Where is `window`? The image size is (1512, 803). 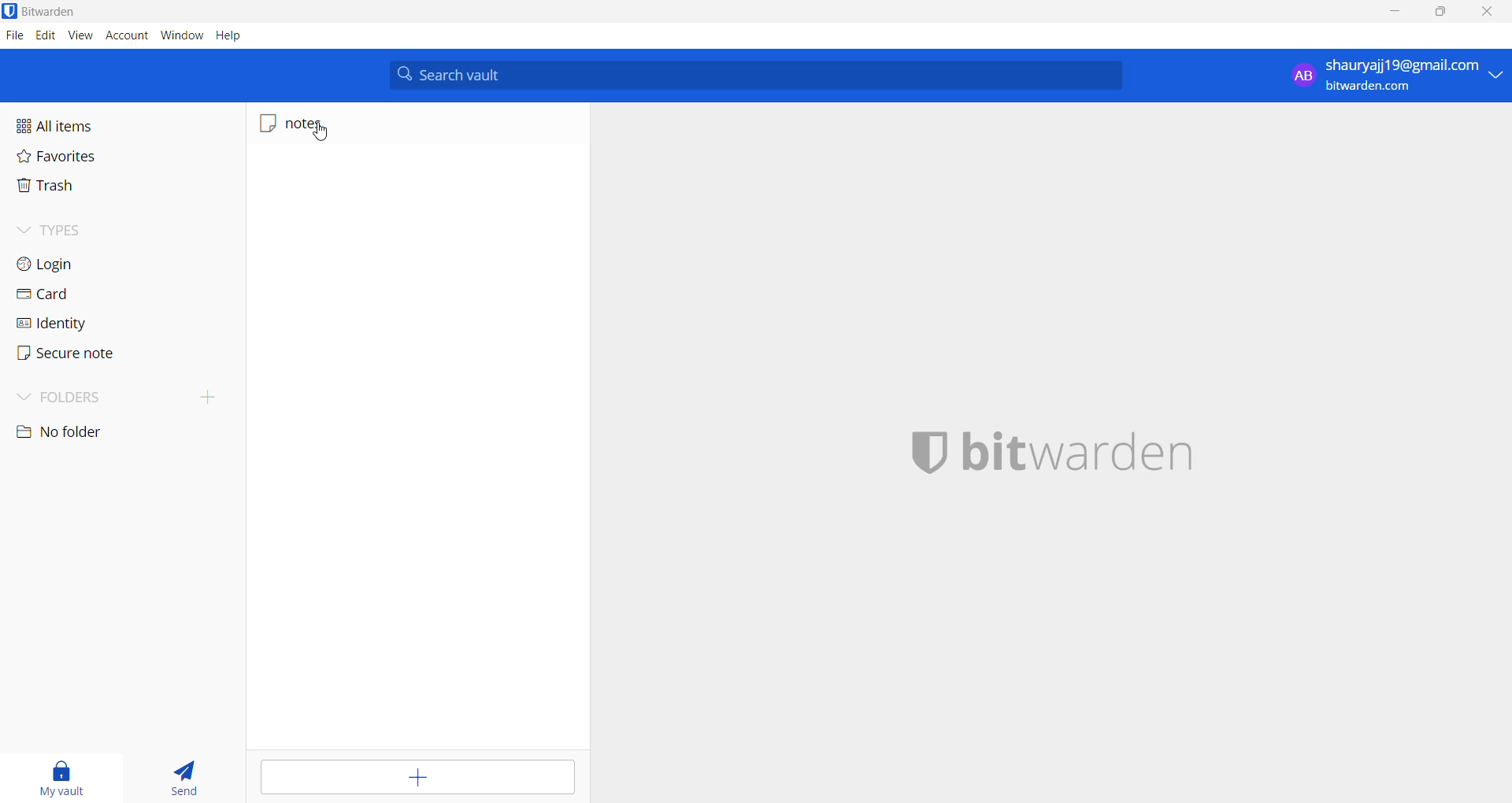 window is located at coordinates (179, 37).